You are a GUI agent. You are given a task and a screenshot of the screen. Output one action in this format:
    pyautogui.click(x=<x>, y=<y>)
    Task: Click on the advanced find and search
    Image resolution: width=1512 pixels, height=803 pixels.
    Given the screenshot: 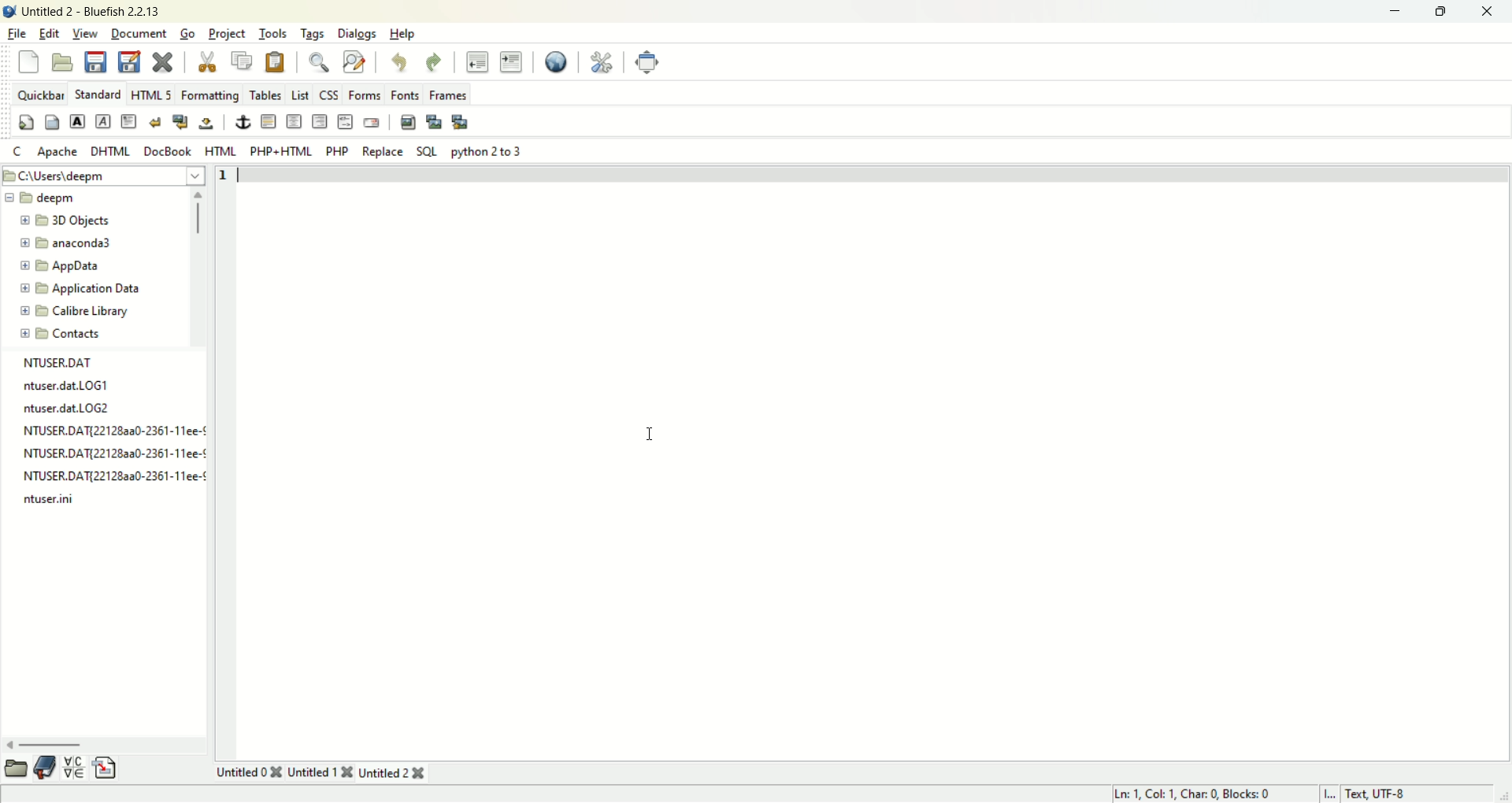 What is the action you would take?
    pyautogui.click(x=354, y=61)
    